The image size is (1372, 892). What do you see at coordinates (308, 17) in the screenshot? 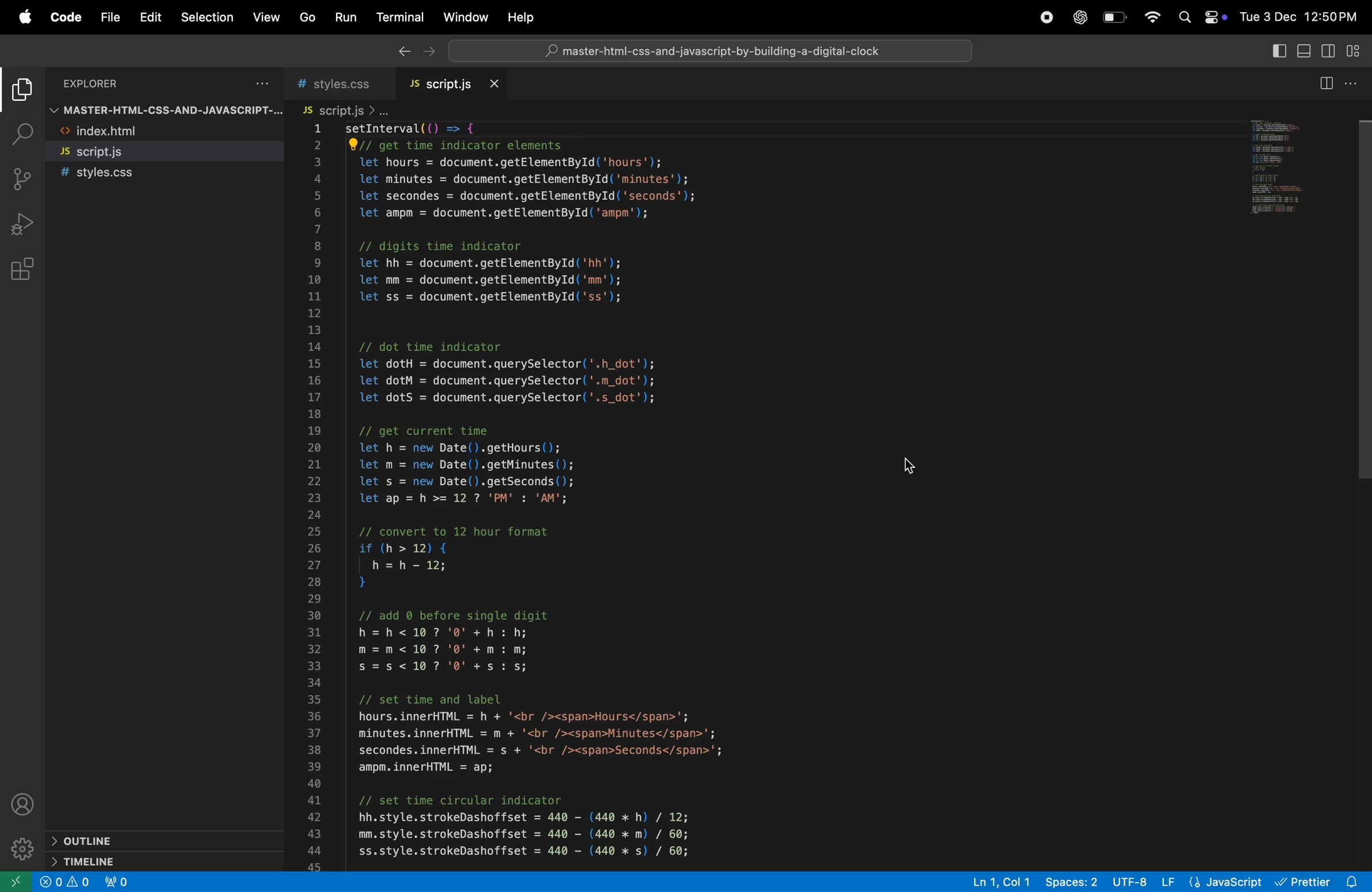
I see `go` at bounding box center [308, 17].